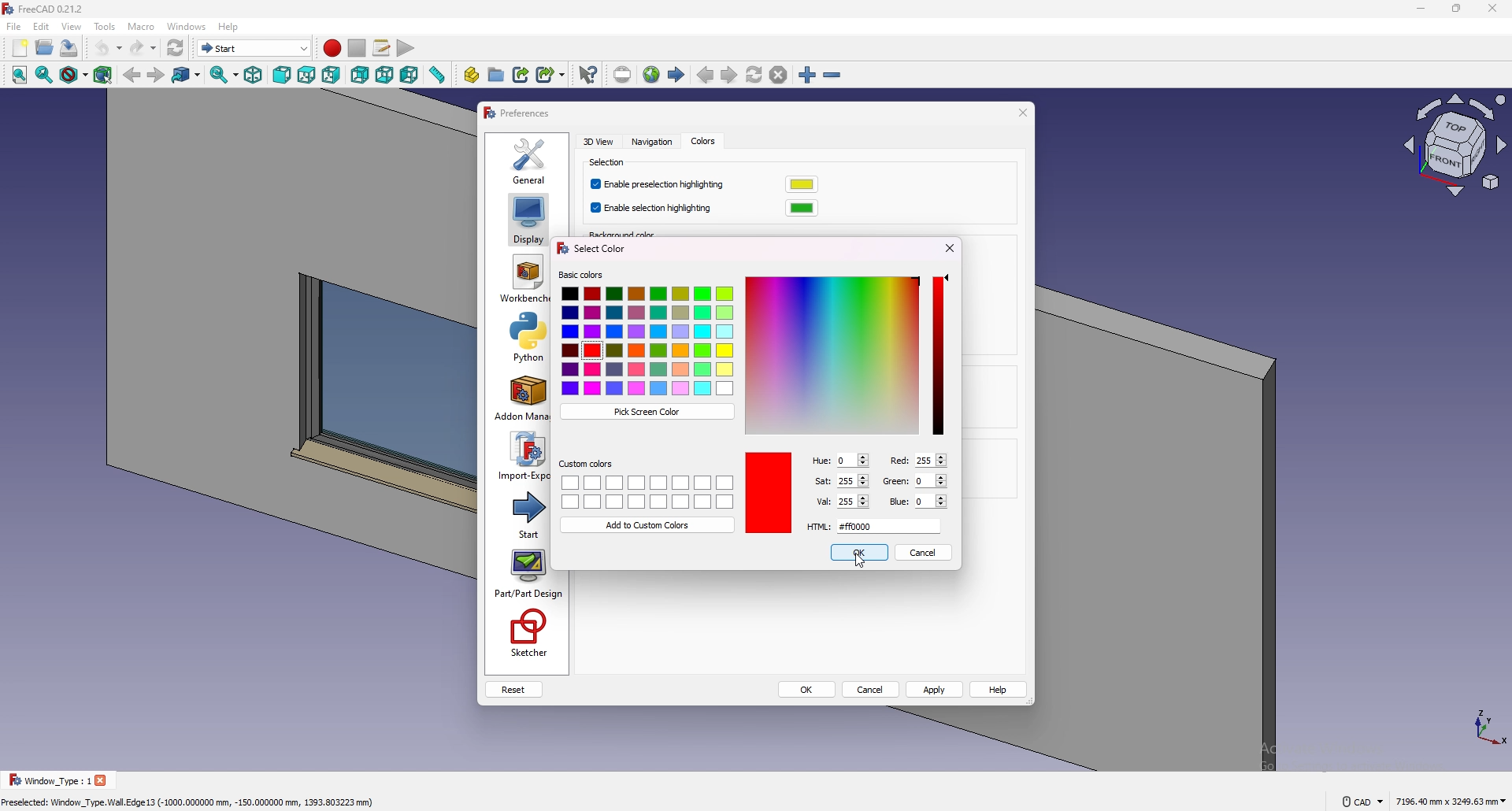 The width and height of the screenshot is (1512, 811). I want to click on custom color slots, so click(647, 491).